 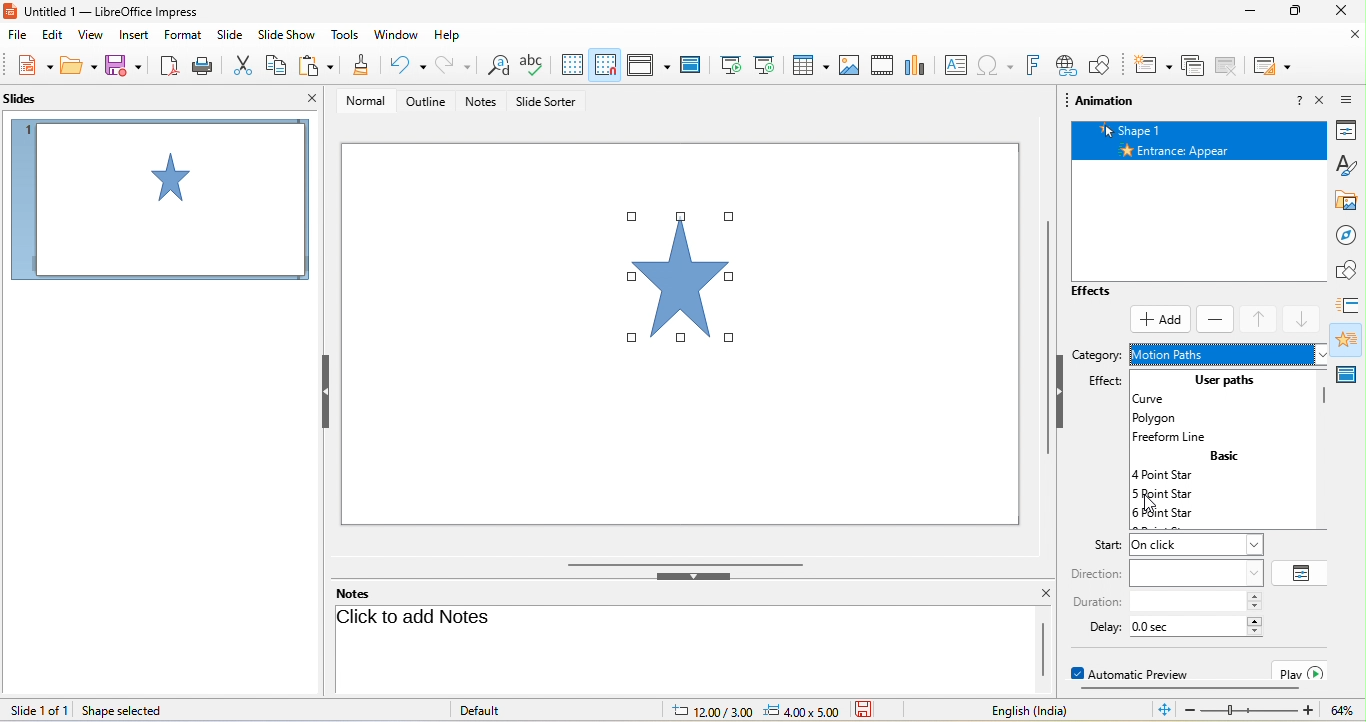 What do you see at coordinates (356, 593) in the screenshot?
I see `notes` at bounding box center [356, 593].